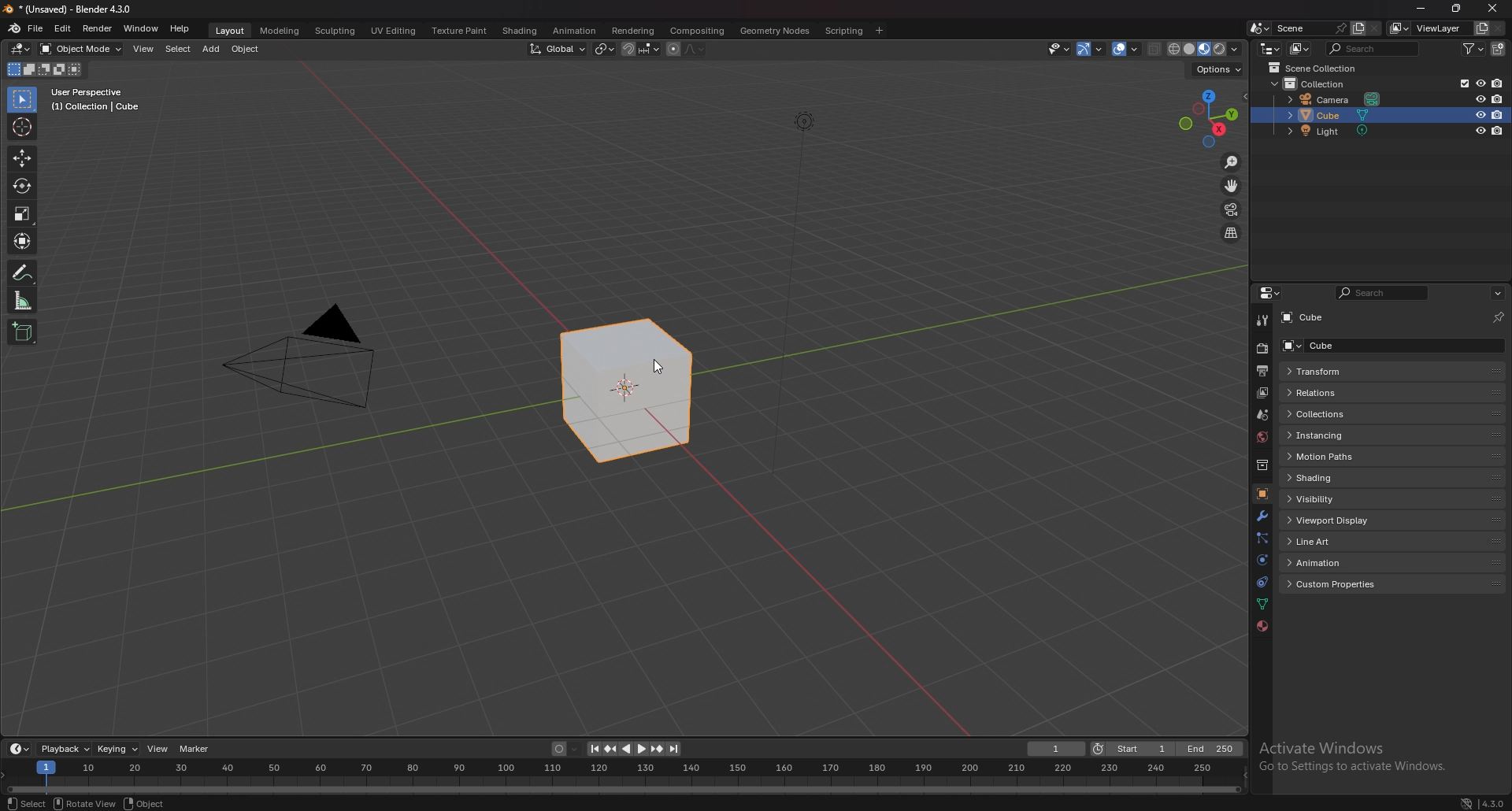  Describe the element at coordinates (693, 50) in the screenshot. I see `proportional editing fall off` at that location.